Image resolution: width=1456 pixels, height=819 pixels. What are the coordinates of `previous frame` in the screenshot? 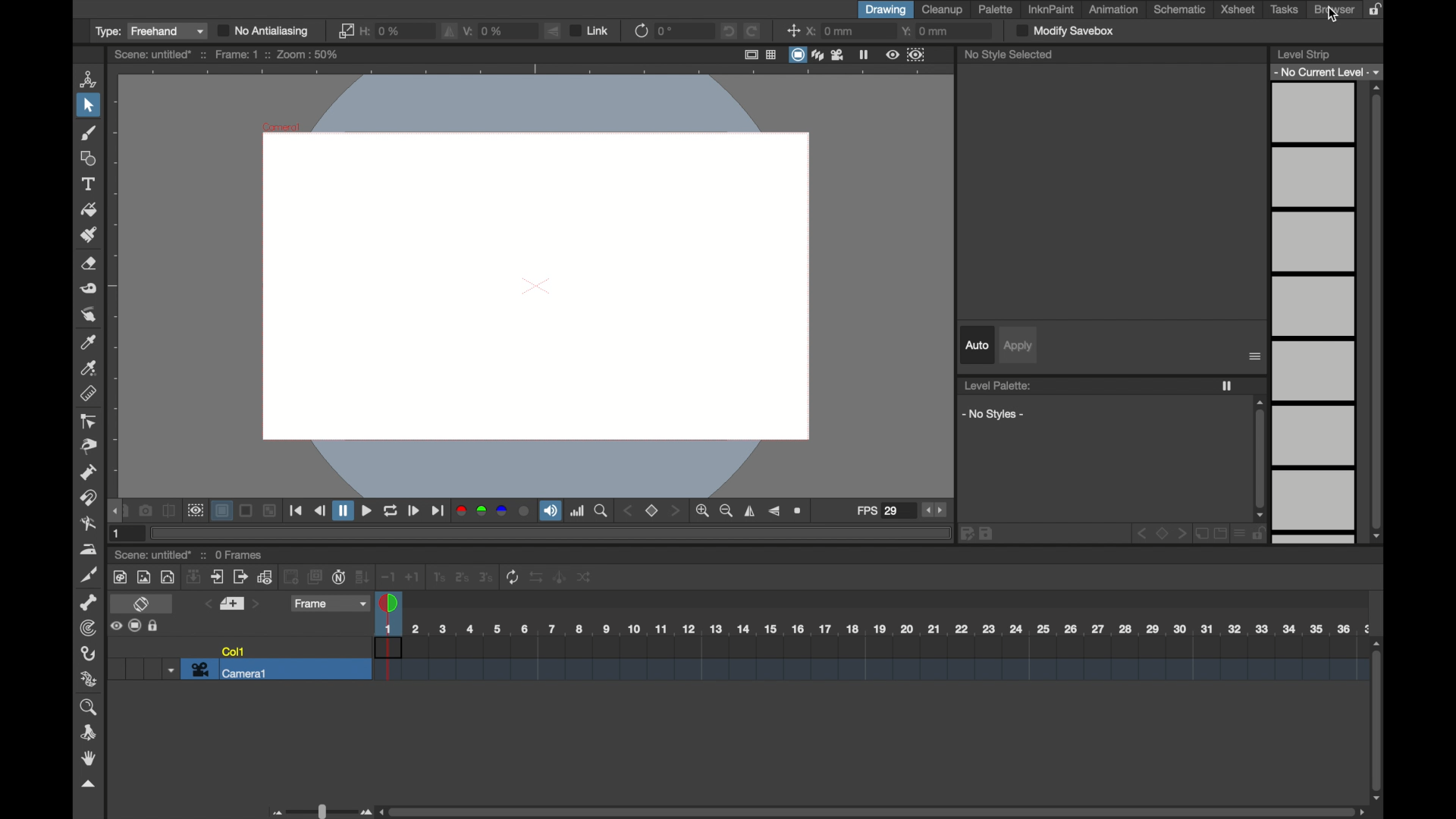 It's located at (319, 511).